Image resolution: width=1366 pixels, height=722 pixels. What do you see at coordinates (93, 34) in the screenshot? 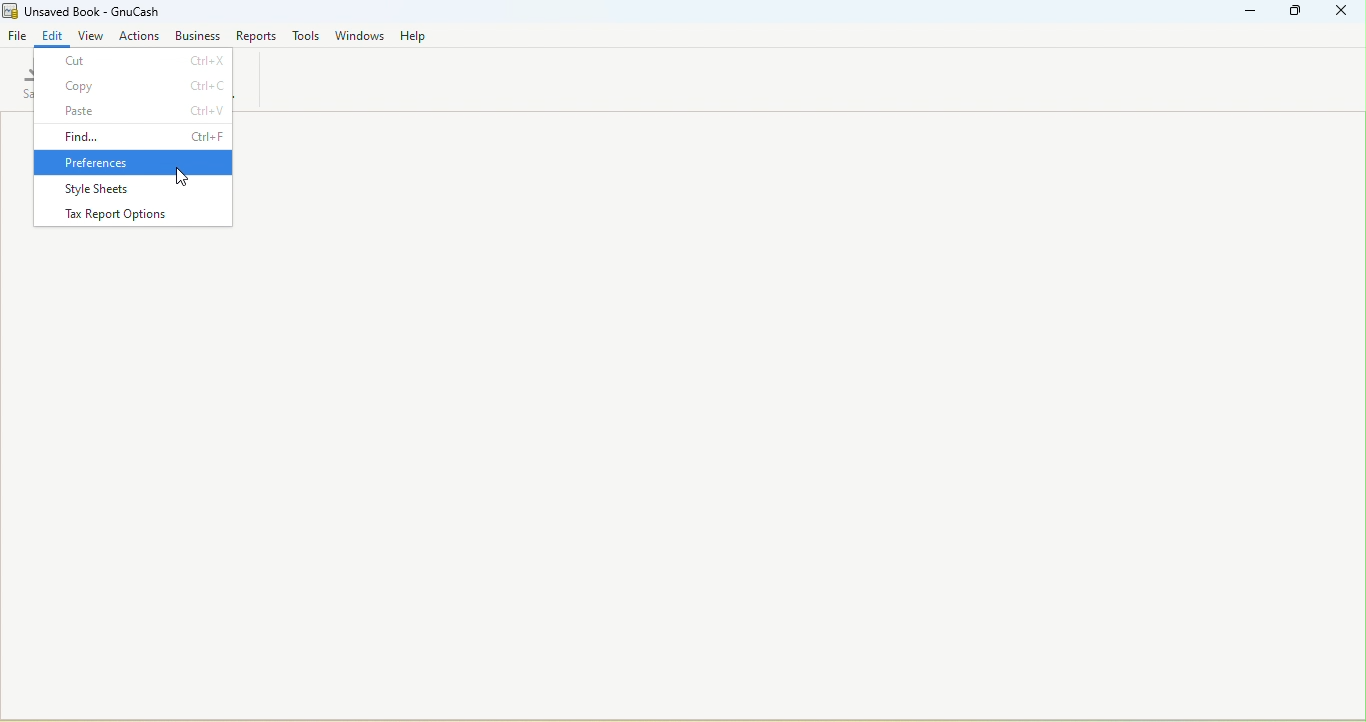
I see `View` at bounding box center [93, 34].